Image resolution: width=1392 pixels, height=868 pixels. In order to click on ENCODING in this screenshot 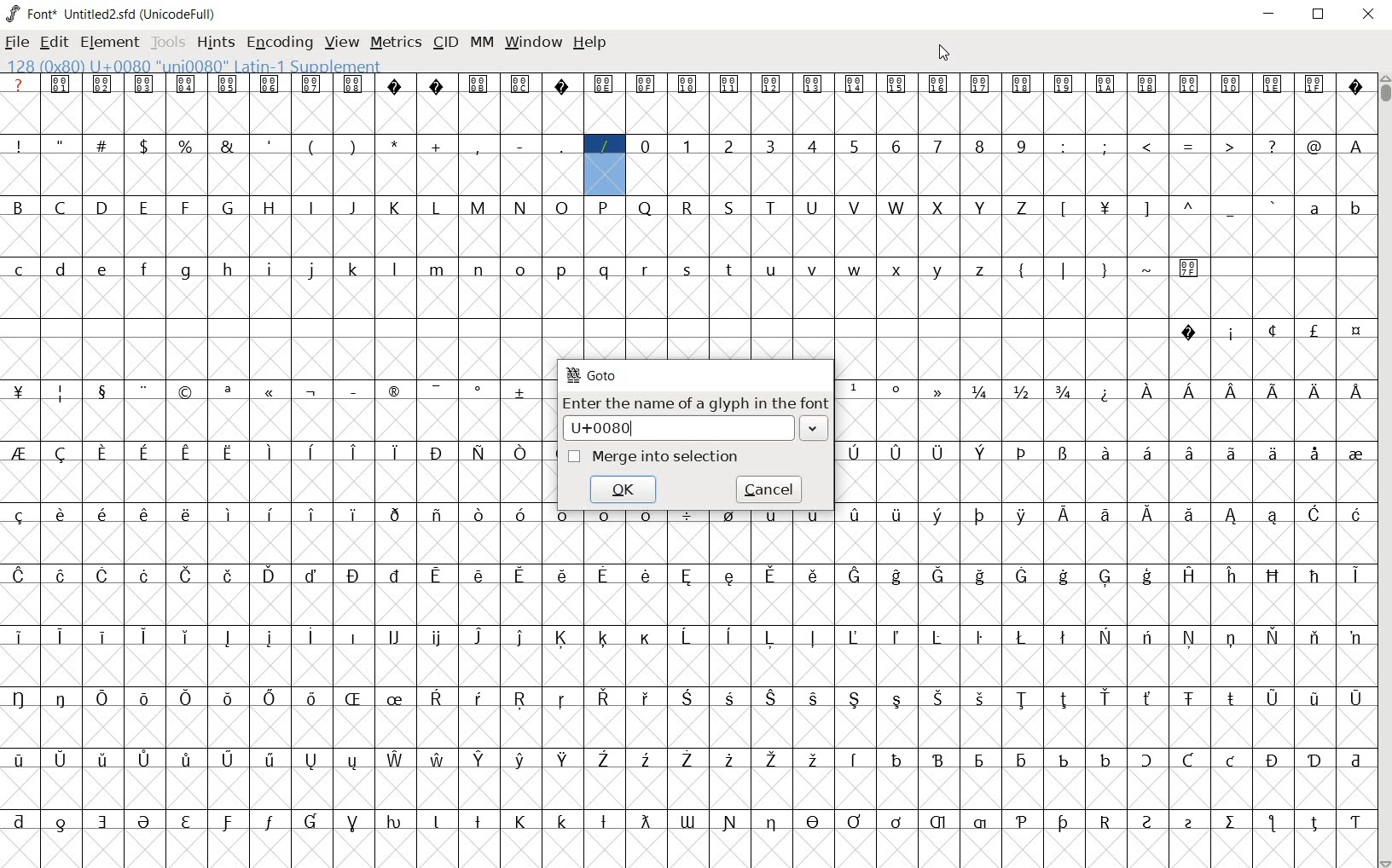, I will do `click(278, 42)`.